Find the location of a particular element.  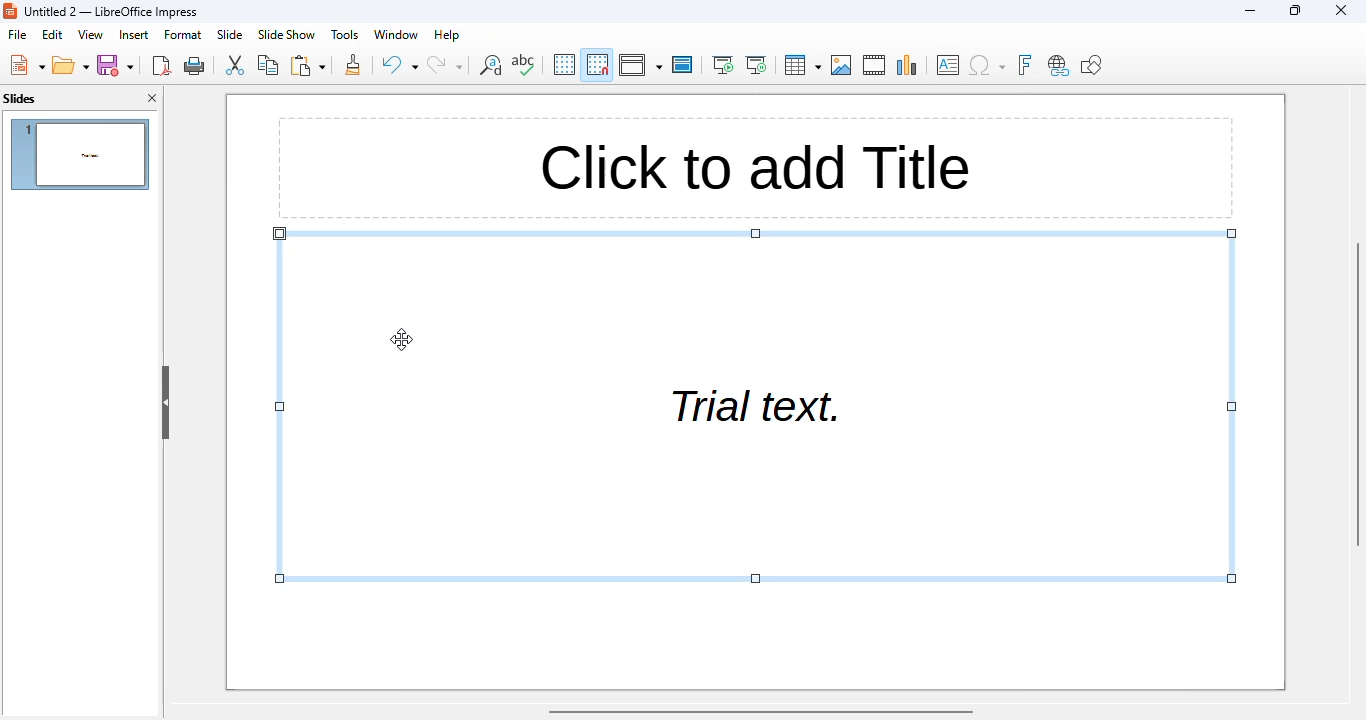

horizontal scroll bar is located at coordinates (761, 712).